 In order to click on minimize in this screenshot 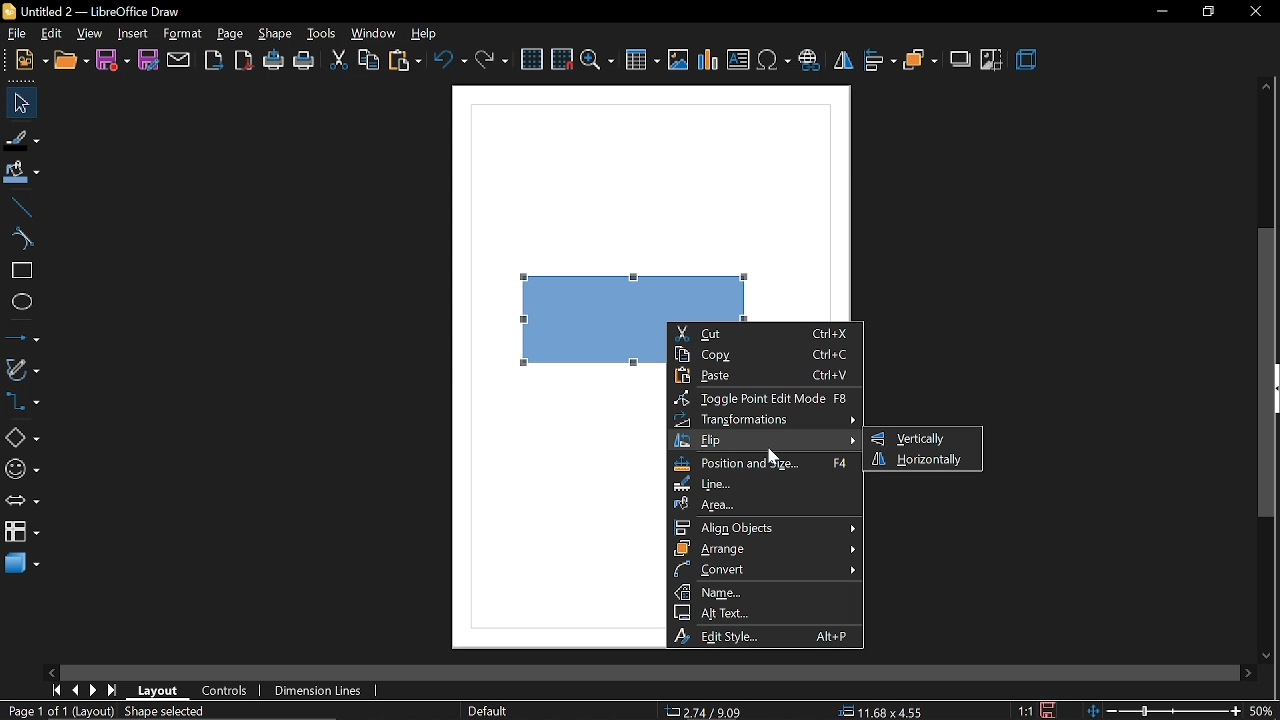, I will do `click(1160, 12)`.